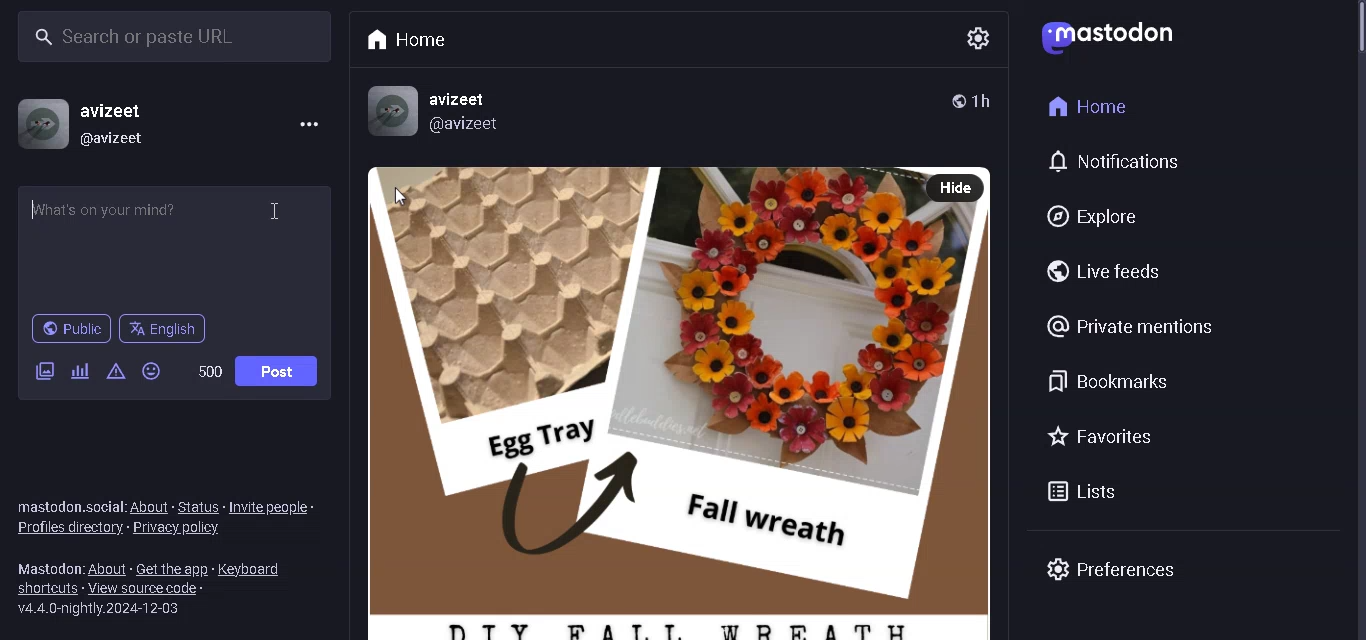 This screenshot has width=1366, height=640. I want to click on HOME, so click(1088, 108).